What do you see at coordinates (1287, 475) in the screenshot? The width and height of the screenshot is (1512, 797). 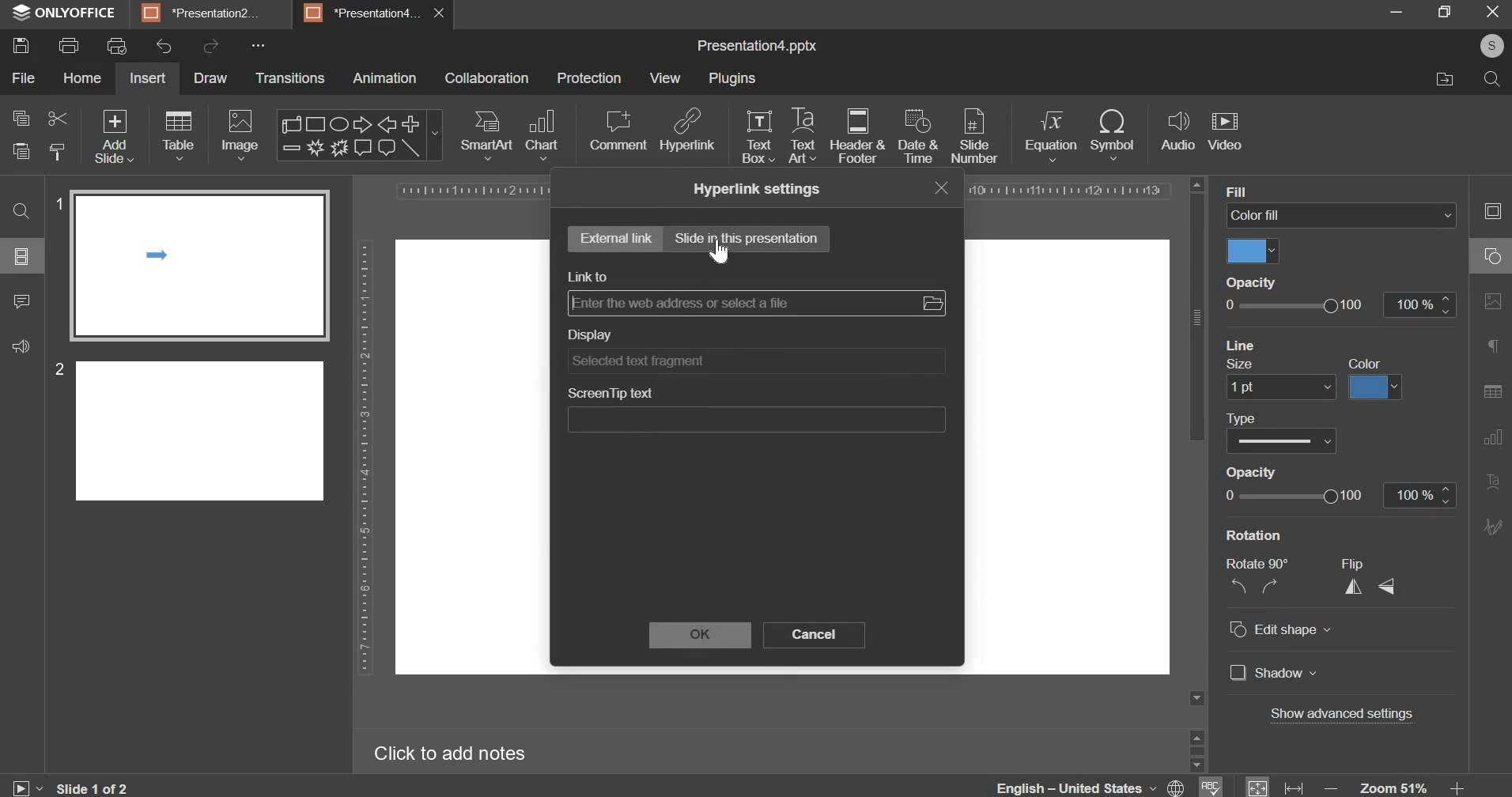 I see `` at bounding box center [1287, 475].